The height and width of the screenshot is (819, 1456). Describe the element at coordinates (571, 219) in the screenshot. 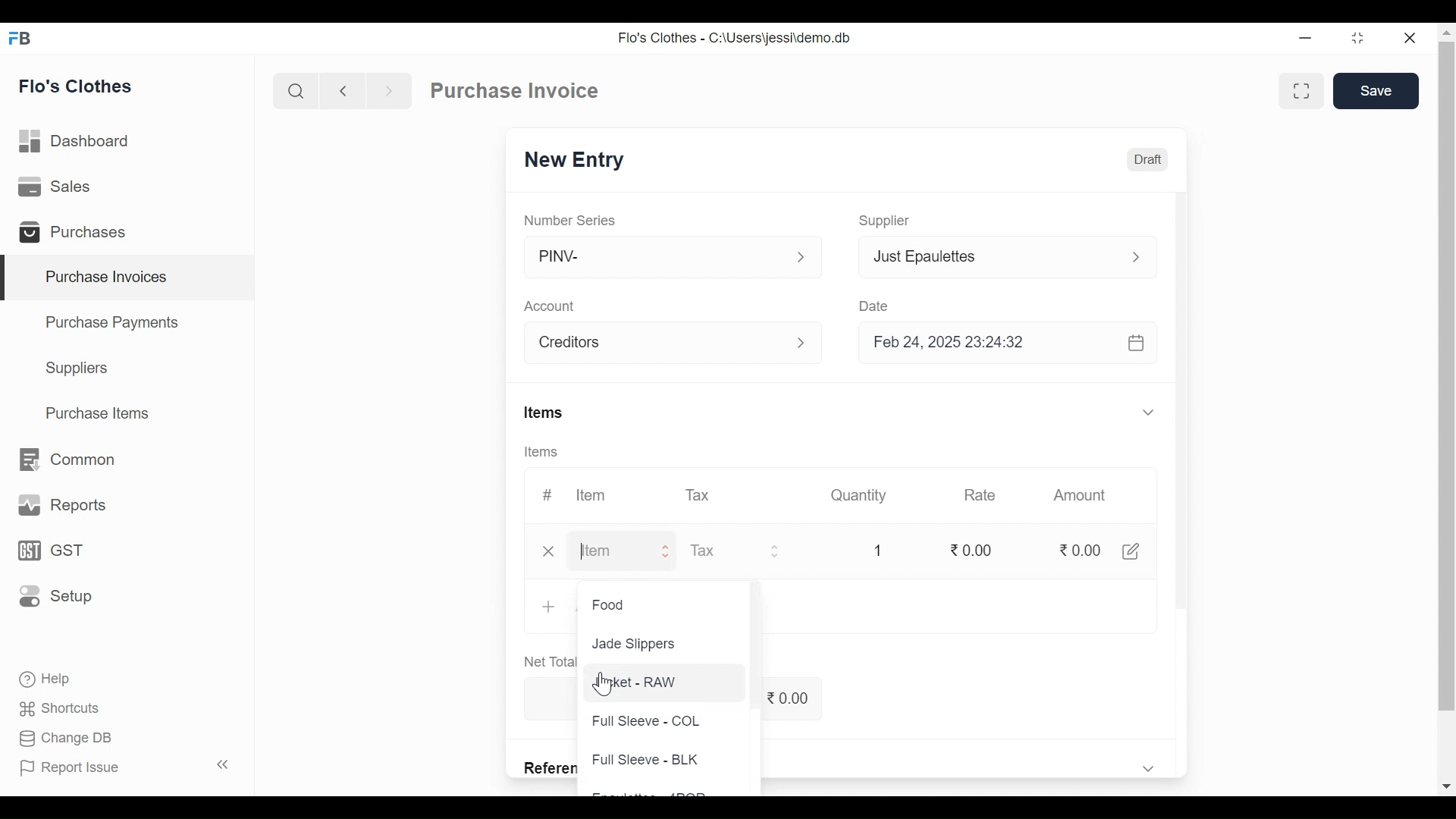

I see `Number Series` at that location.